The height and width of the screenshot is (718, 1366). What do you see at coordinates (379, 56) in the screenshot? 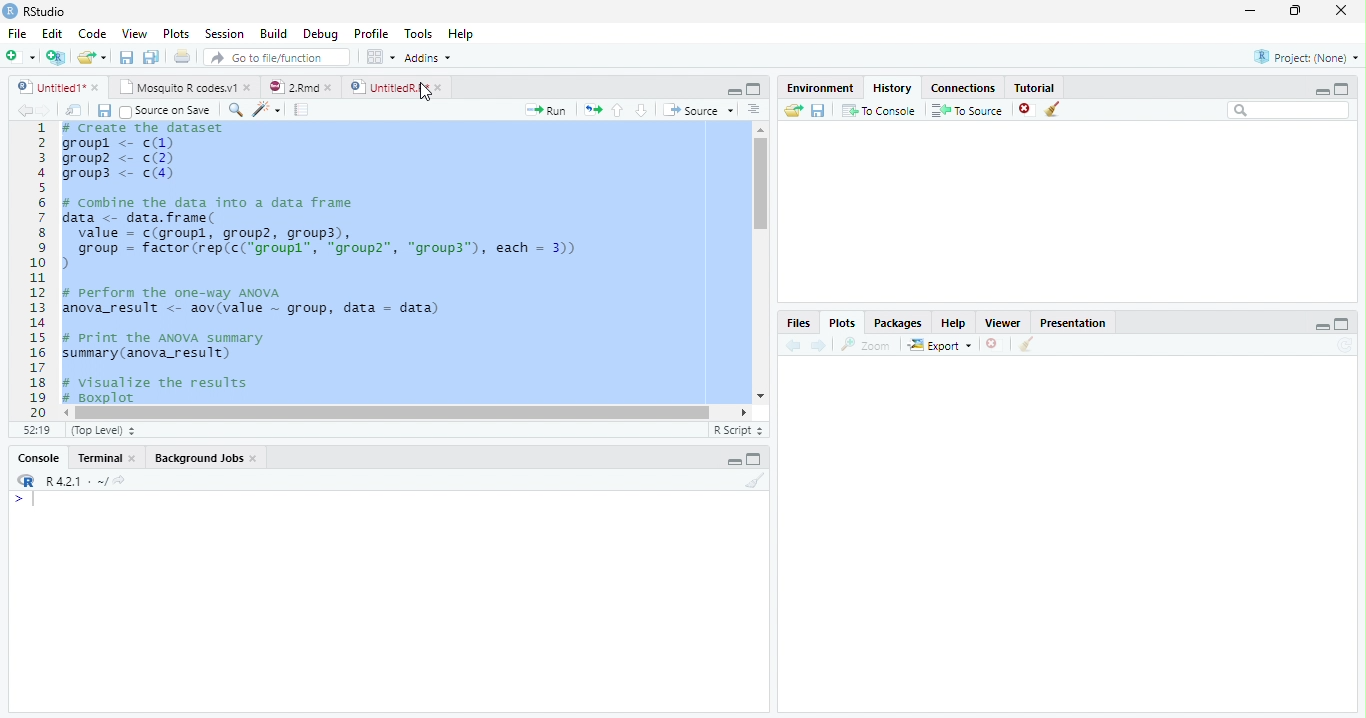
I see `Workspace pane` at bounding box center [379, 56].